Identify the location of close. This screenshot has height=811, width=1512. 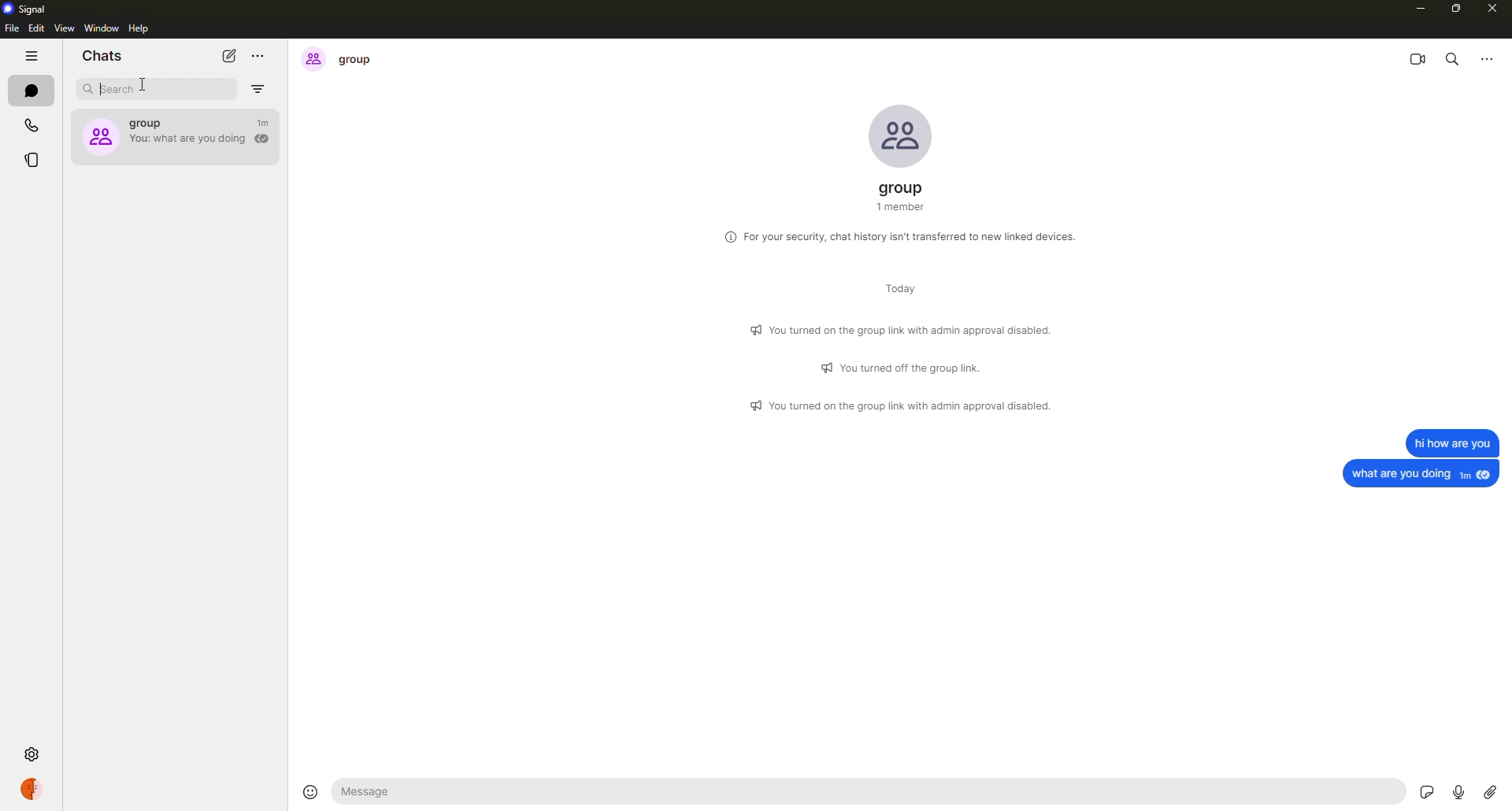
(1495, 11).